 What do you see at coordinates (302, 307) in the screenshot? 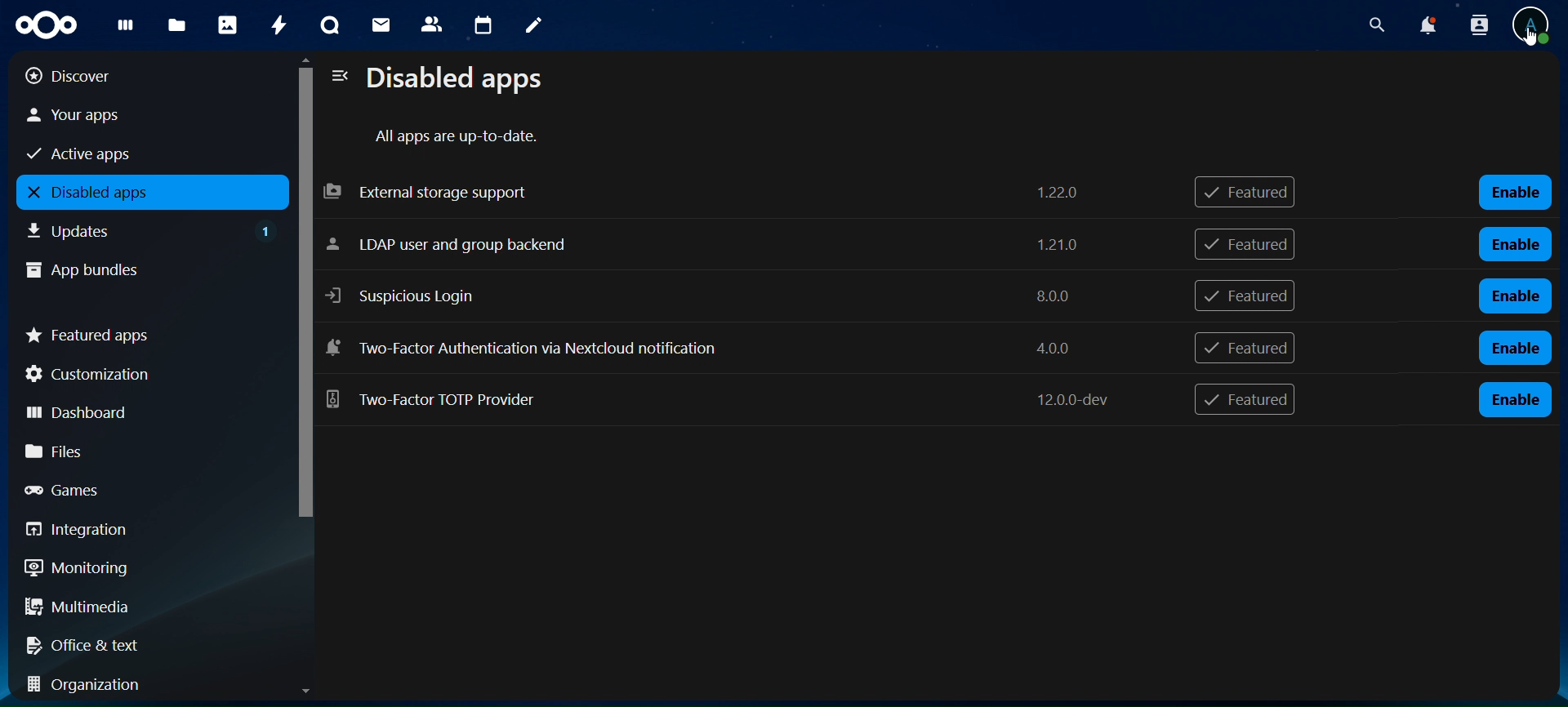
I see `scrollbar` at bounding box center [302, 307].